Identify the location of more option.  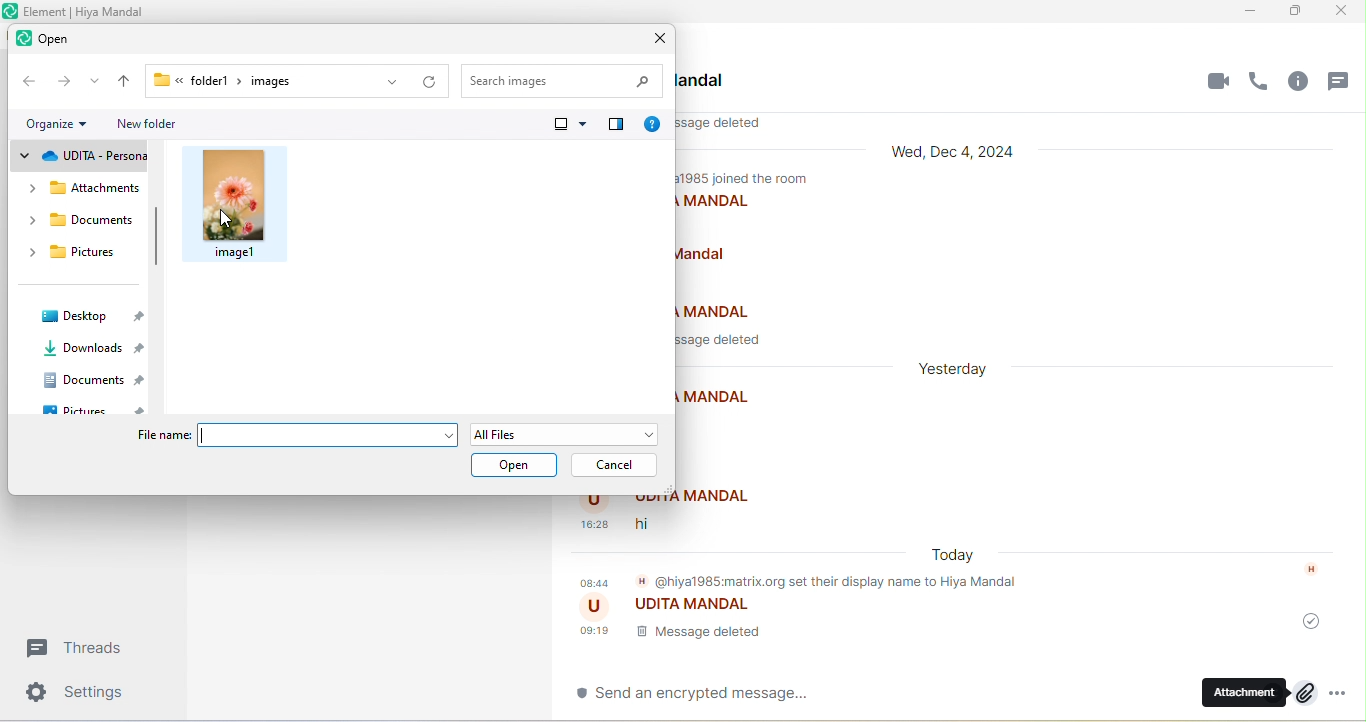
(1347, 693).